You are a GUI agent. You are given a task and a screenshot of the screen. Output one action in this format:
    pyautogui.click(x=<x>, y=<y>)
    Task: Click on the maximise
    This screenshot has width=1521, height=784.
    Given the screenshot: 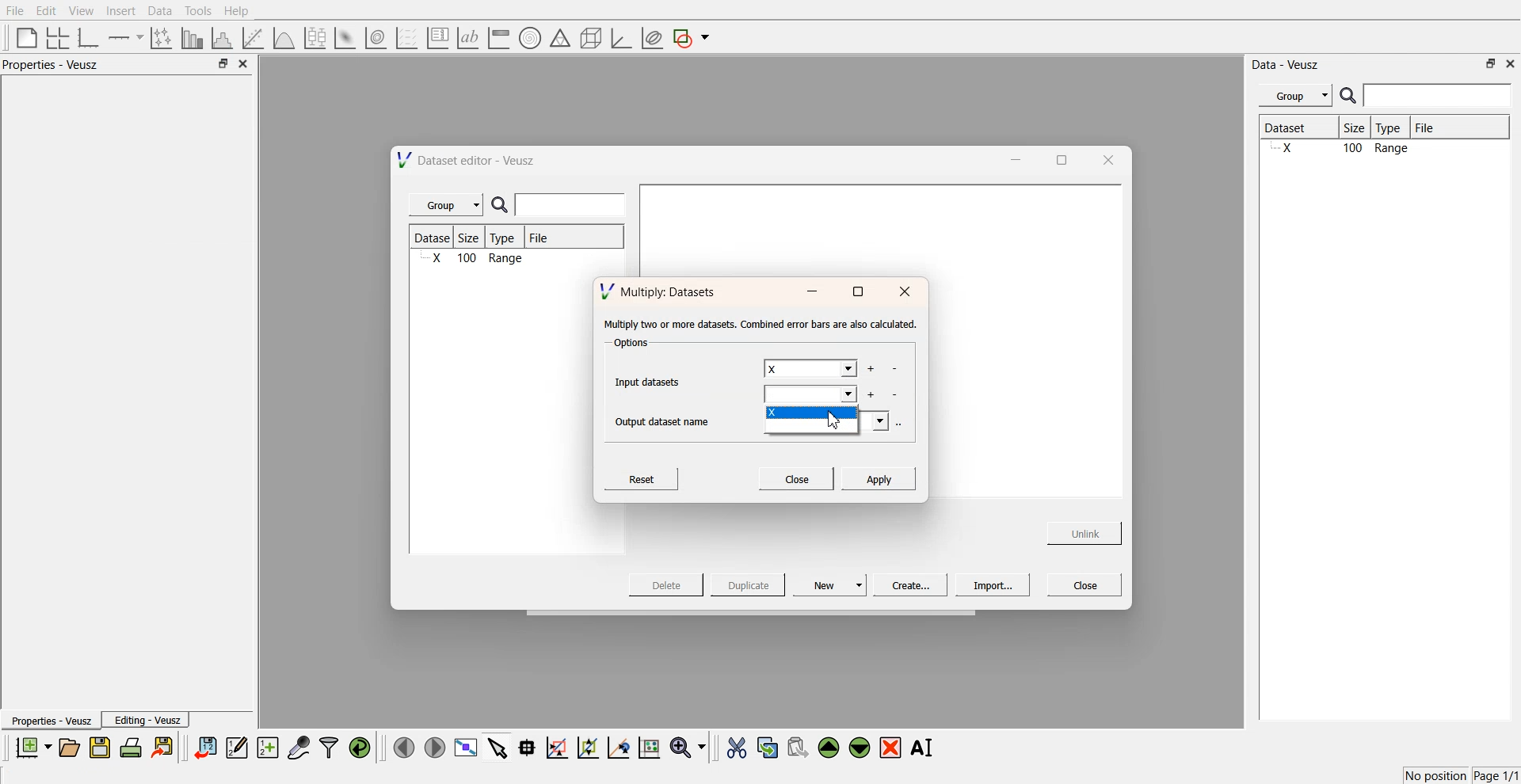 What is the action you would take?
    pyautogui.click(x=1057, y=158)
    